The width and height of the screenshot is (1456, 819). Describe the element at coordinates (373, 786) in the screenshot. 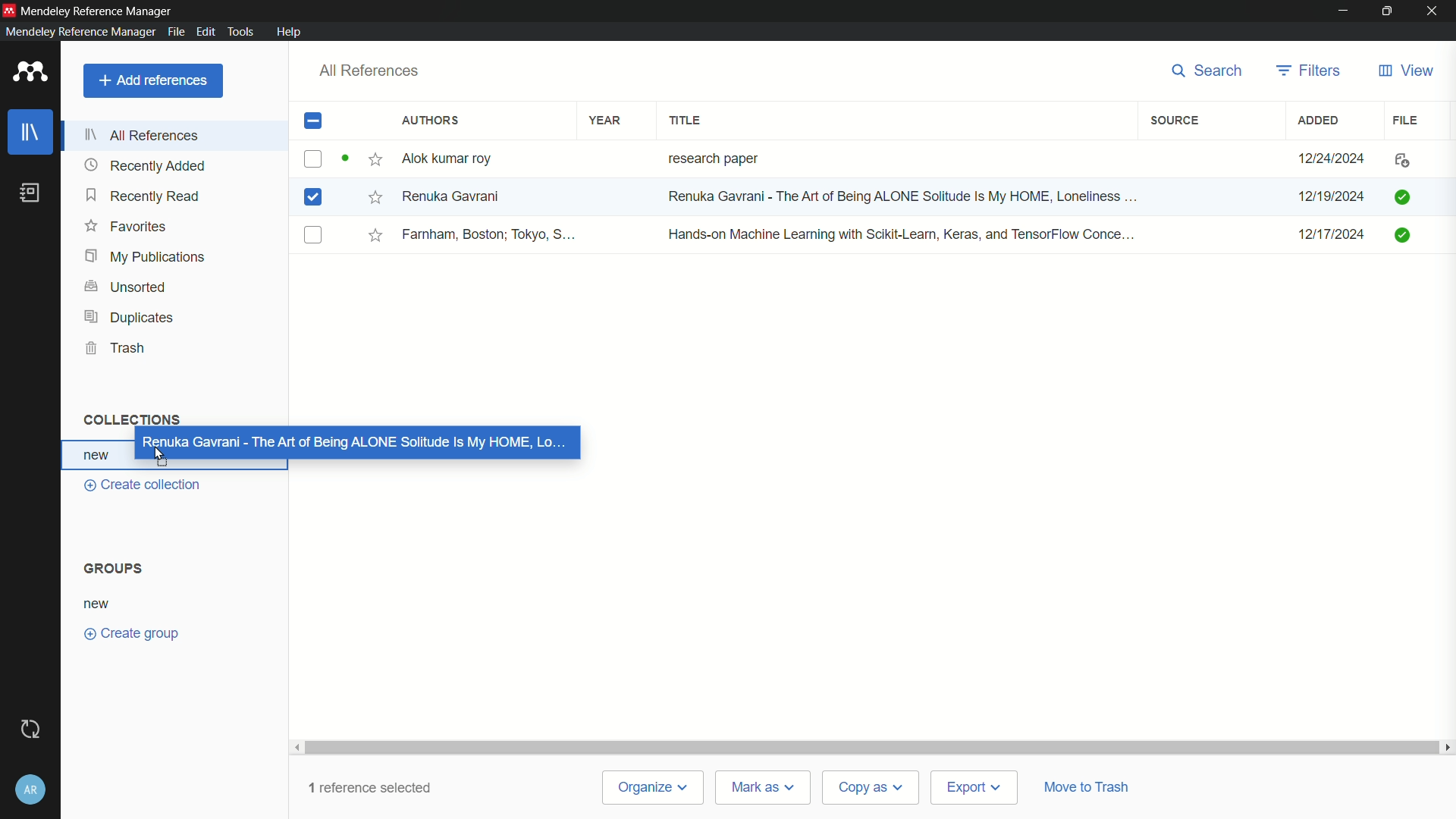

I see `1 reference selected` at that location.